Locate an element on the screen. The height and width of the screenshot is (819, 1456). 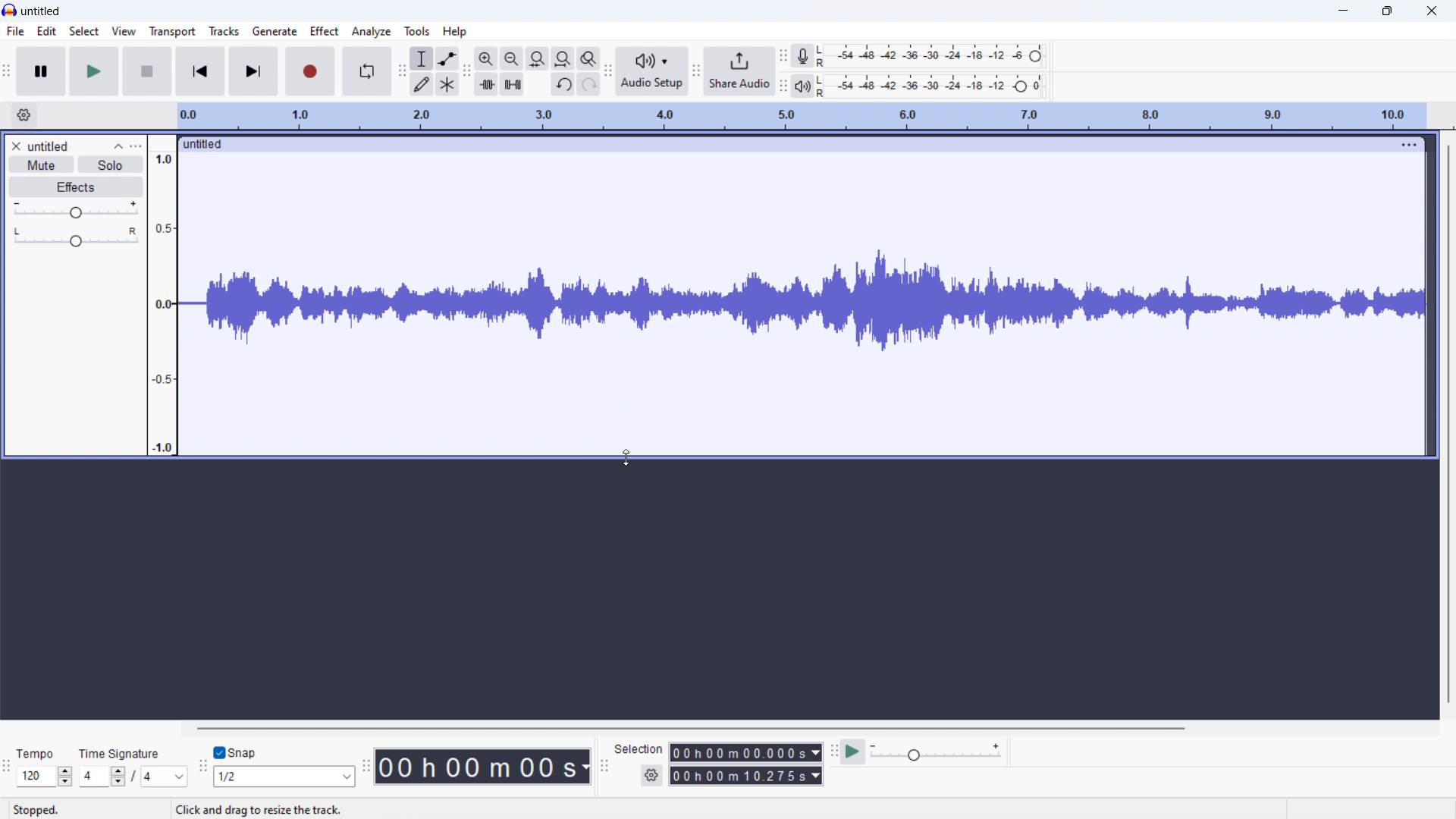
play at speed toolbar is located at coordinates (834, 751).